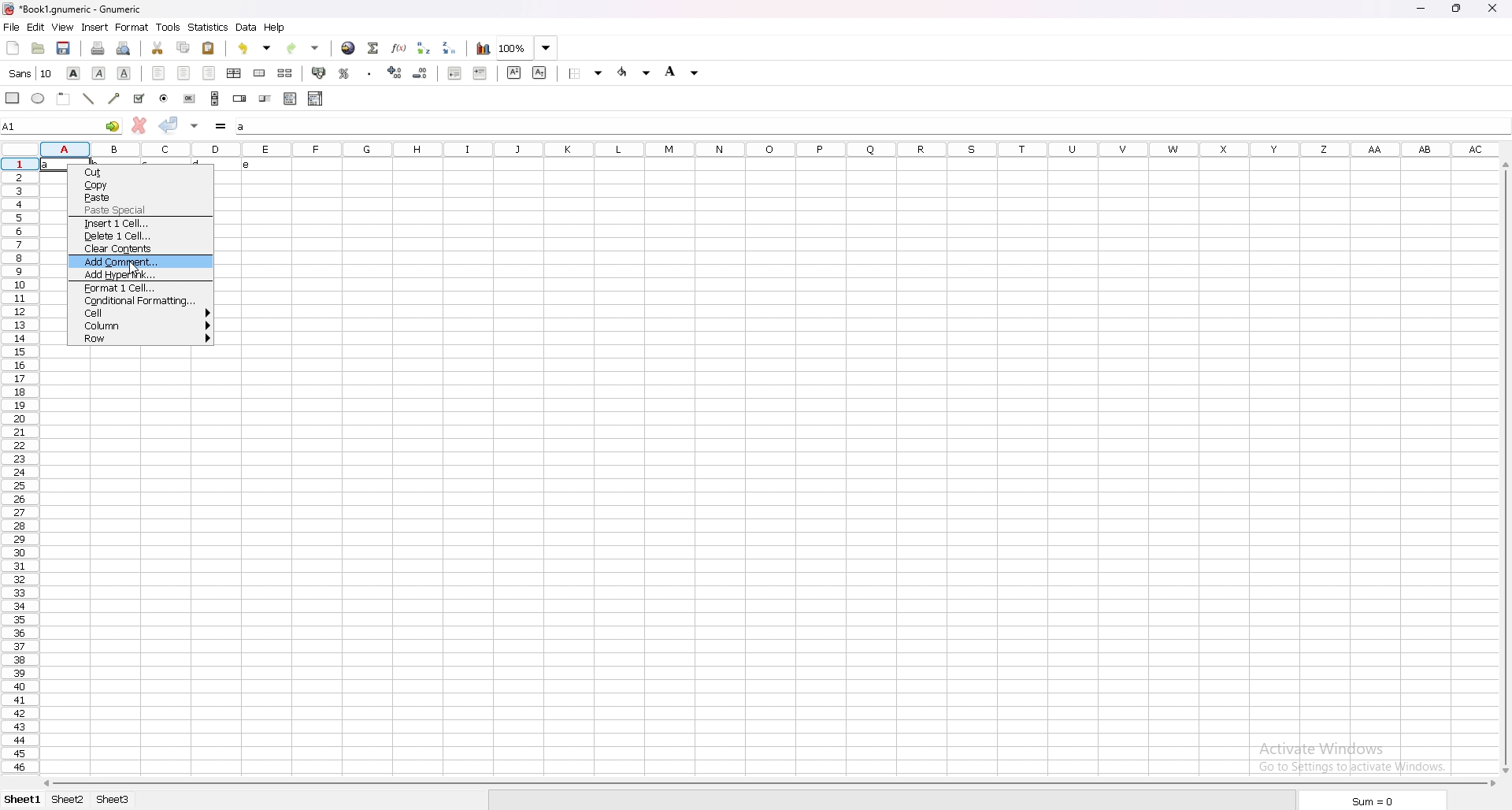 The width and height of the screenshot is (1512, 810). I want to click on view, so click(62, 27).